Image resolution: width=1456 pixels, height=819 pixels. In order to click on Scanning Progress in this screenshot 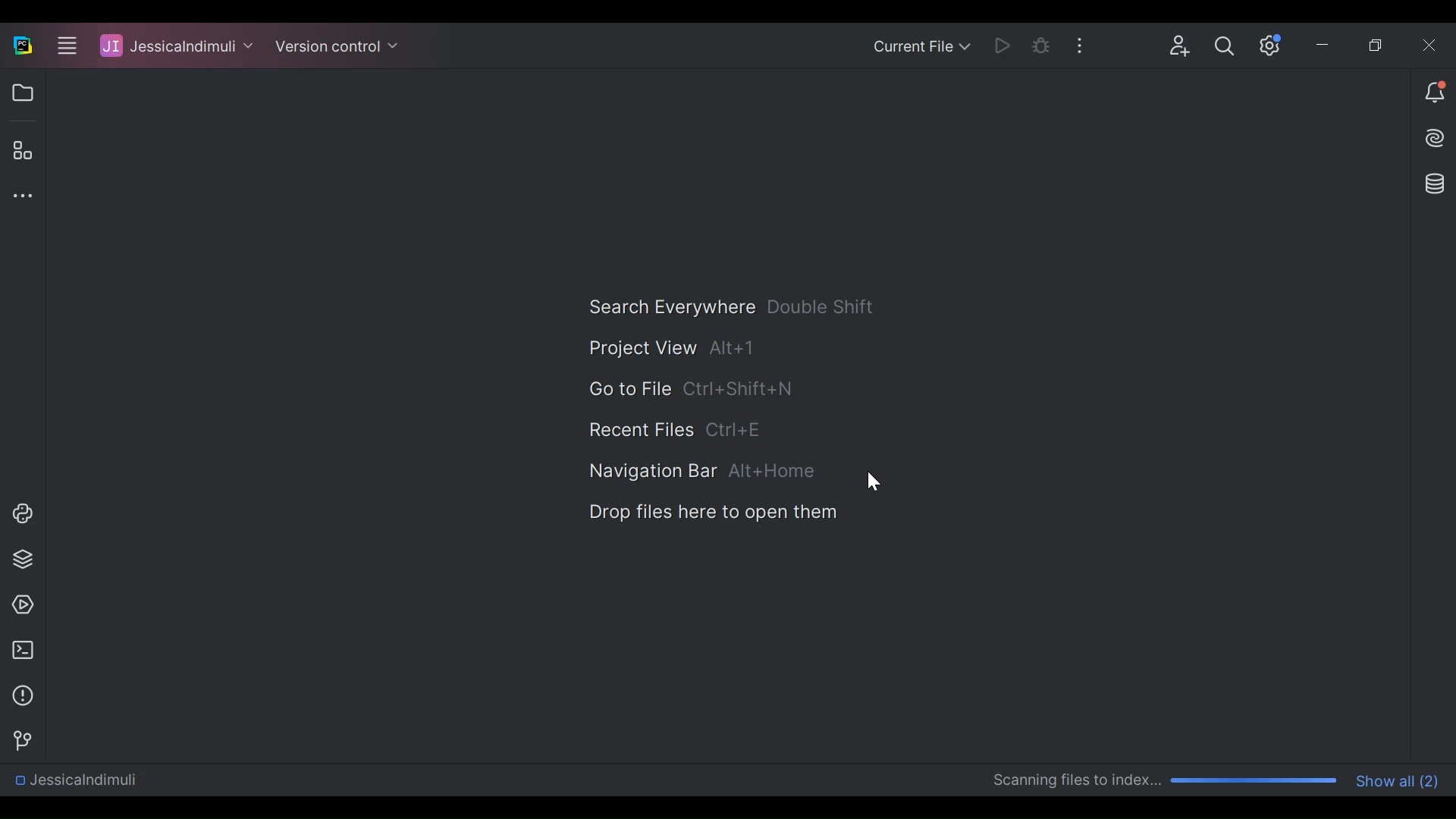, I will do `click(1166, 781)`.